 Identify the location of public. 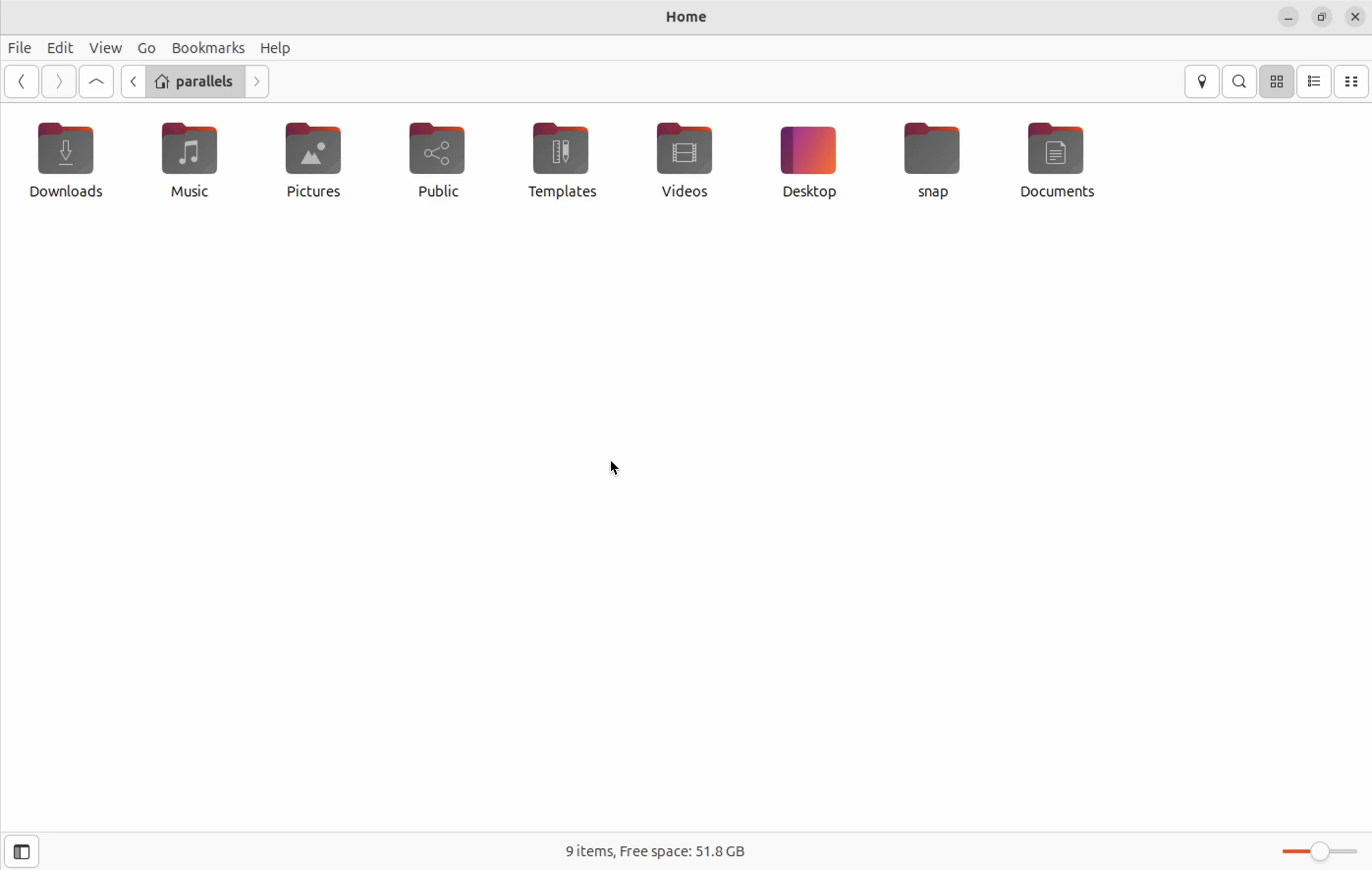
(438, 159).